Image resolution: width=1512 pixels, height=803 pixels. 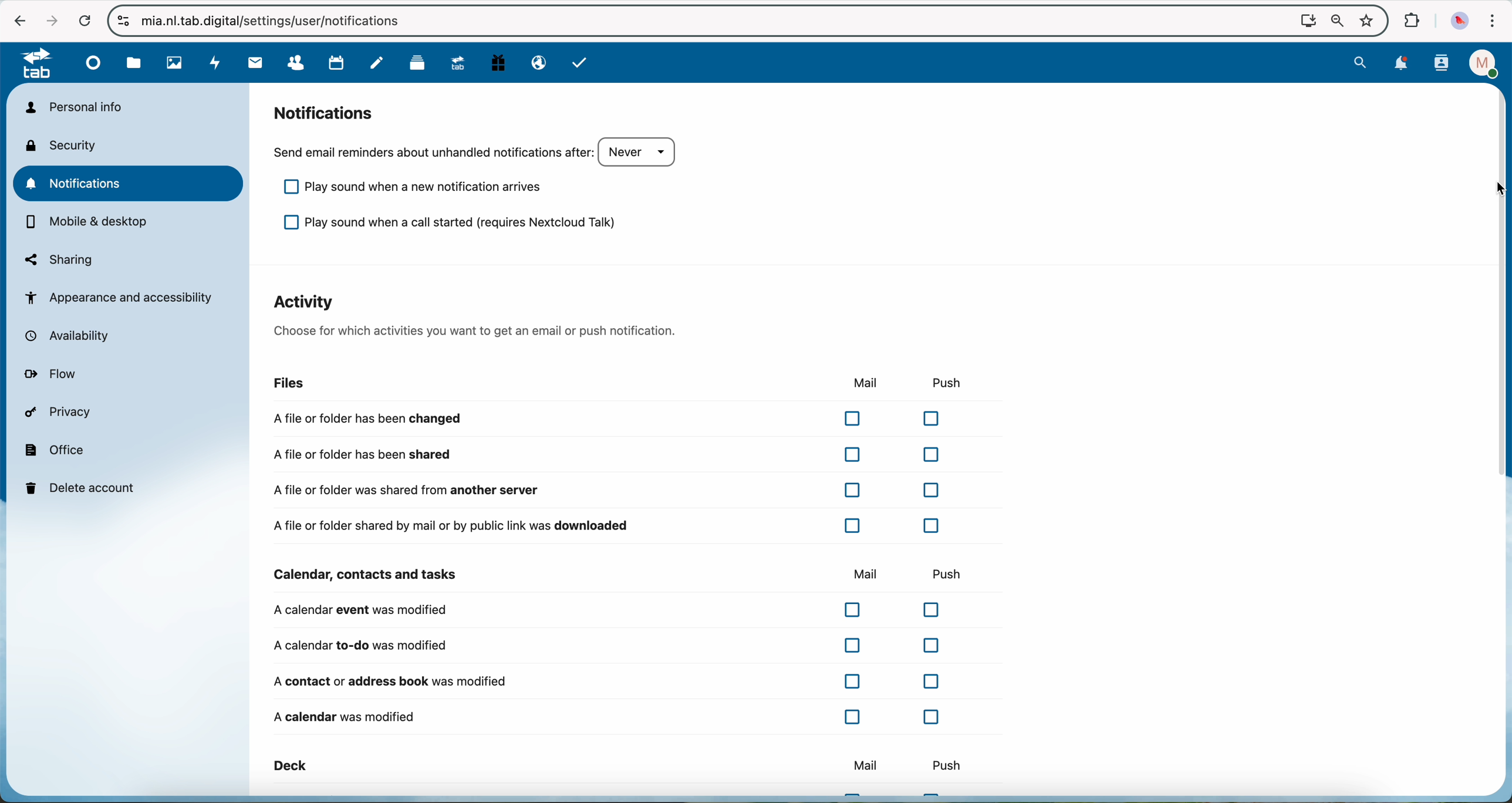 What do you see at coordinates (607, 418) in the screenshot?
I see `a file or folder has been changed` at bounding box center [607, 418].